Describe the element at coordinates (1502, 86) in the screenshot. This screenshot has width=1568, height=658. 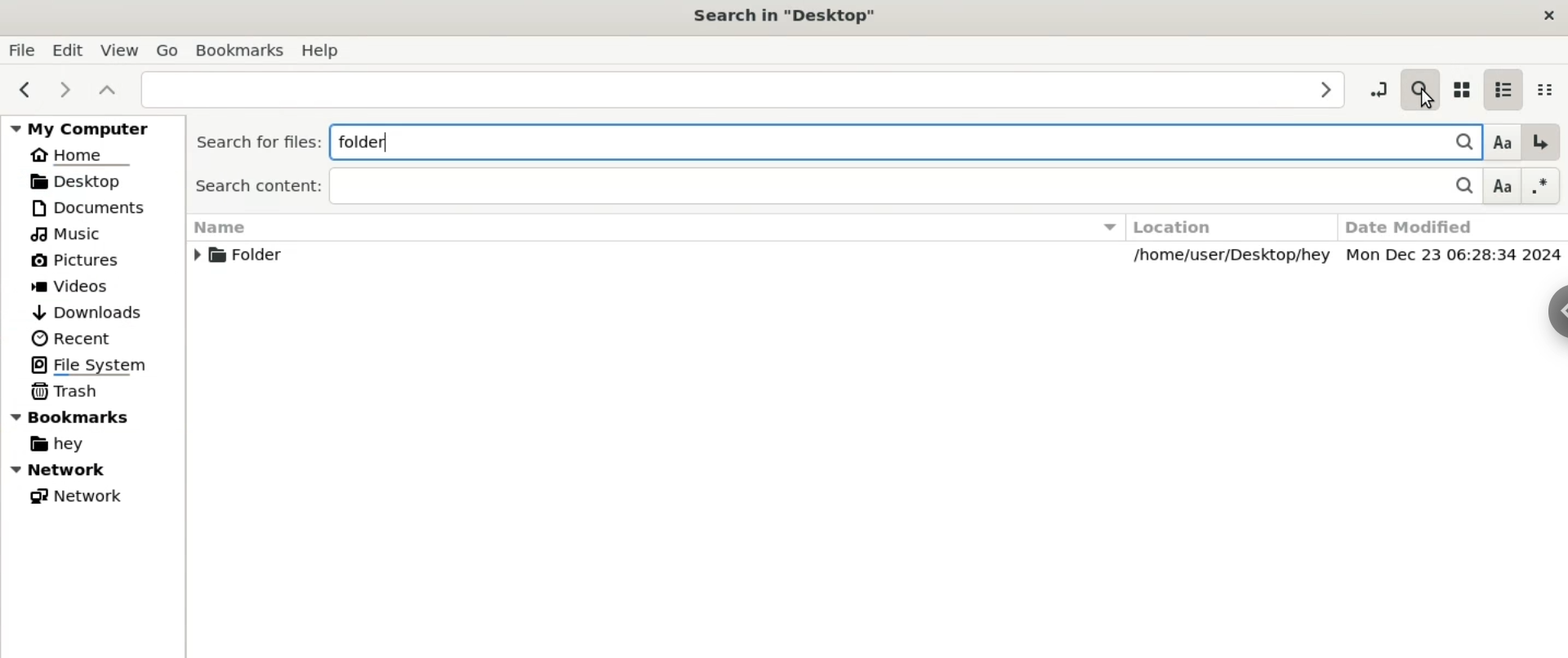
I see `list view` at that location.